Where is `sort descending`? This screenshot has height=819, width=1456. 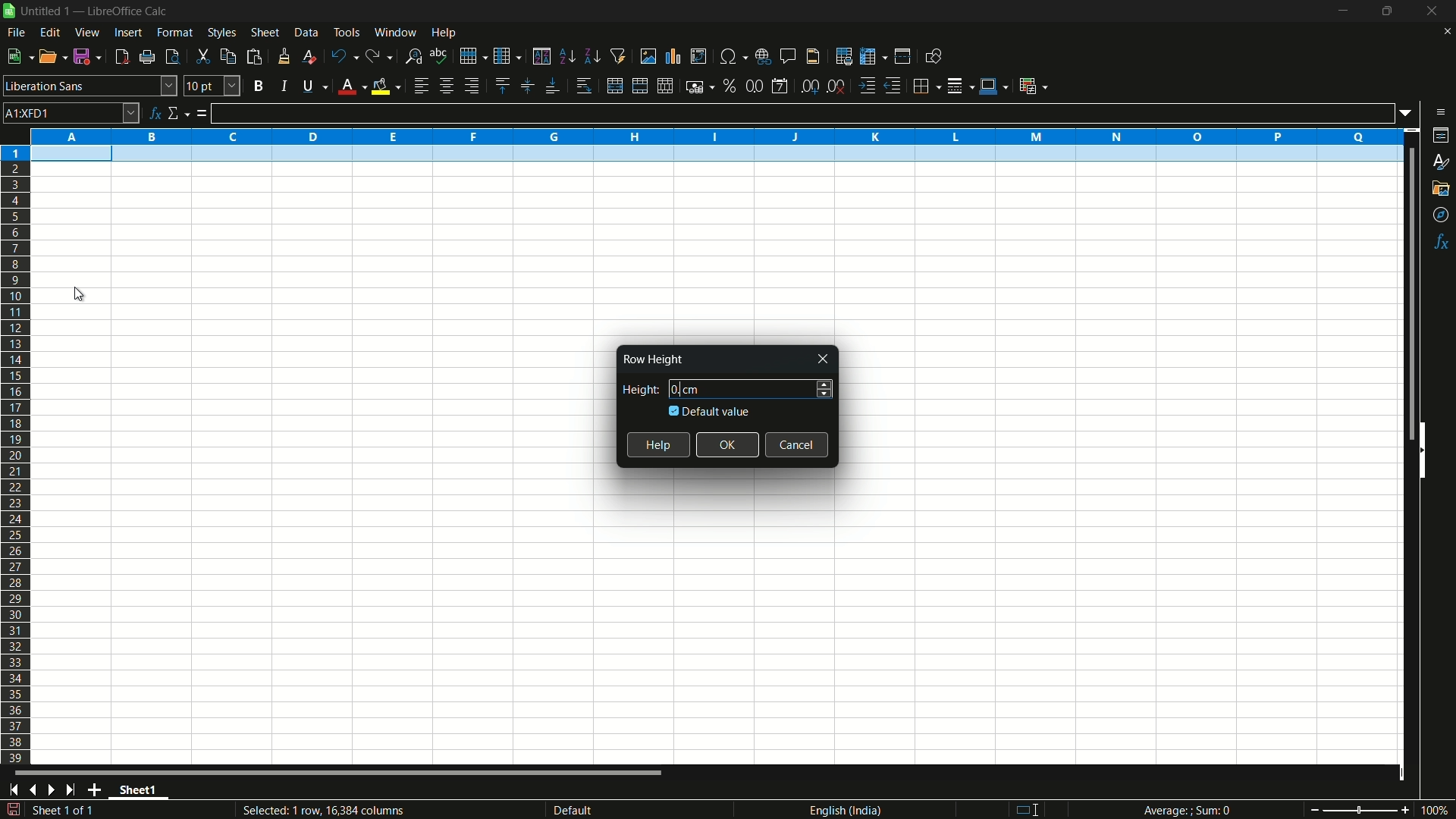 sort descending is located at coordinates (591, 56).